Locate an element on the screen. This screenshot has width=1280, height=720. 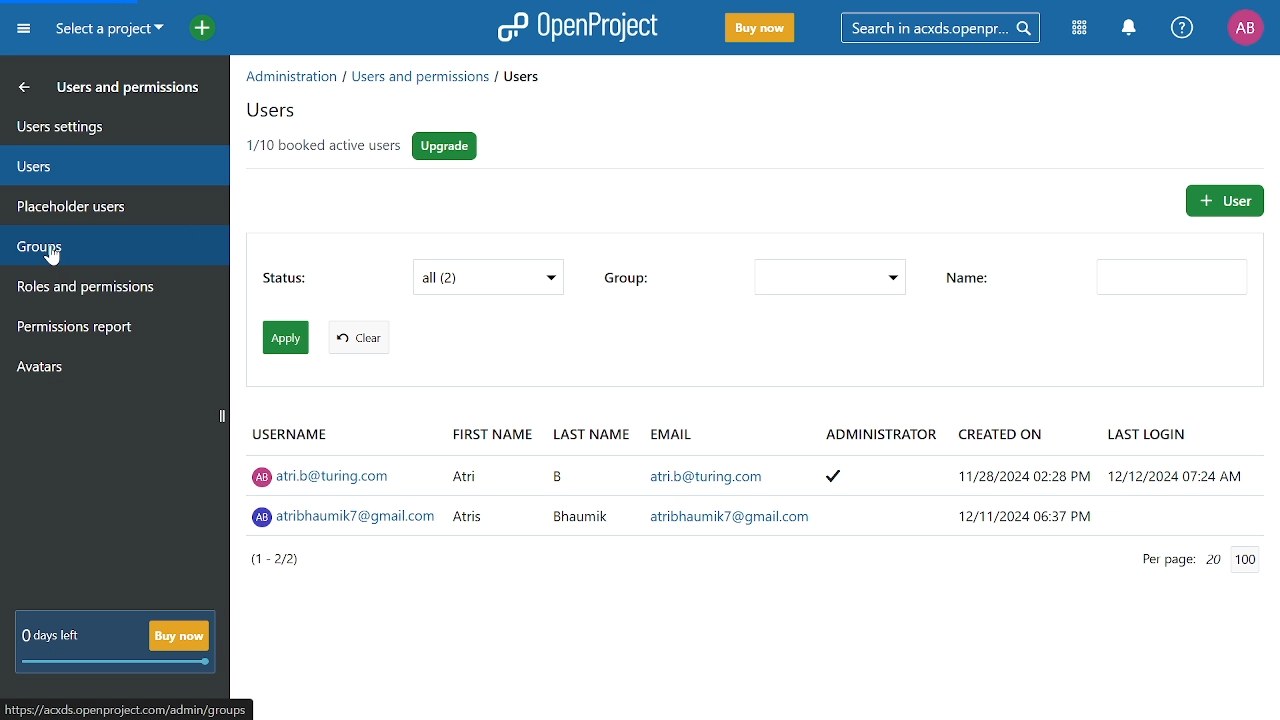
group is located at coordinates (828, 277).